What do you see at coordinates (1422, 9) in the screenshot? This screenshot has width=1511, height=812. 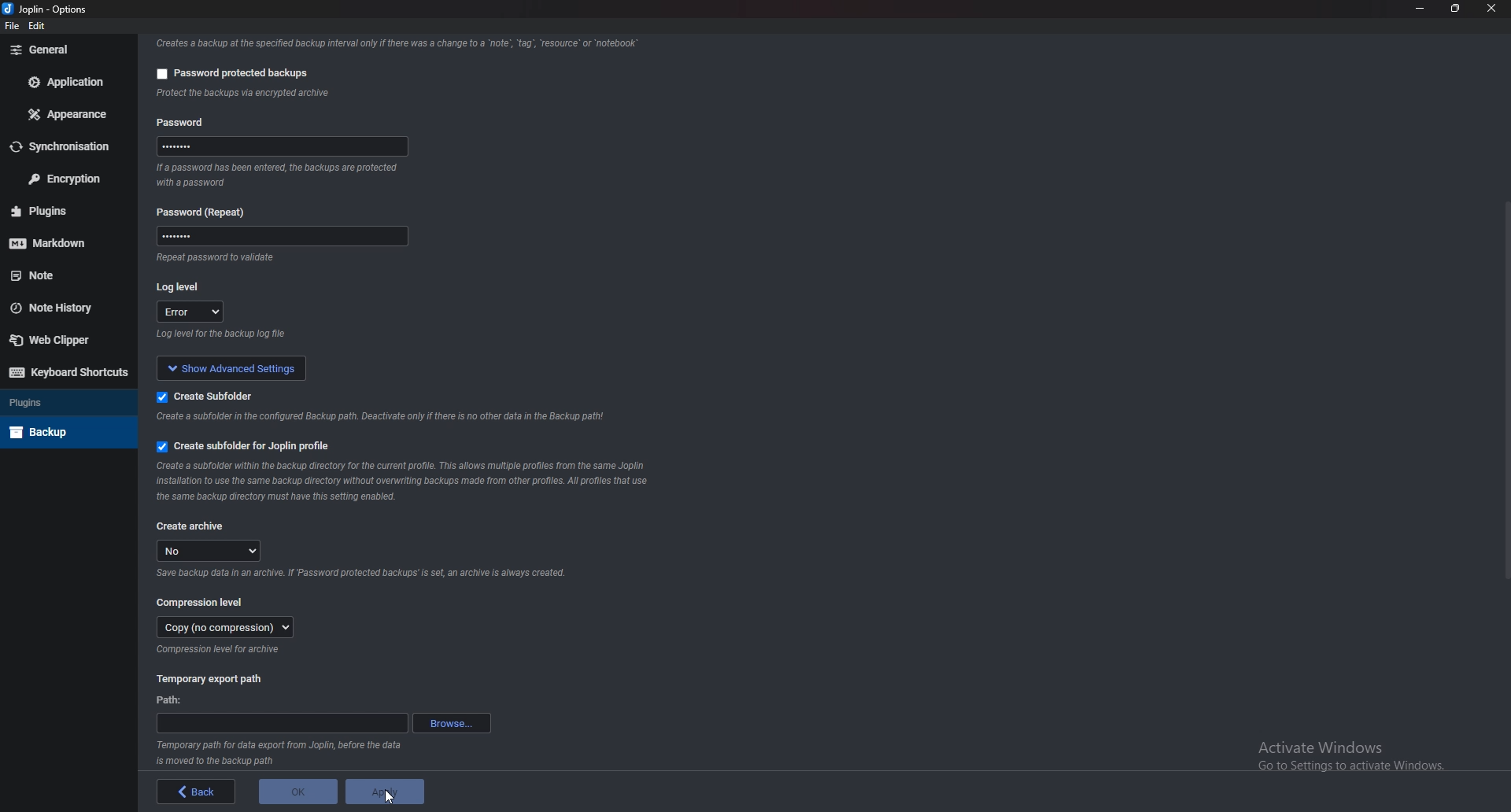 I see `Minimize` at bounding box center [1422, 9].